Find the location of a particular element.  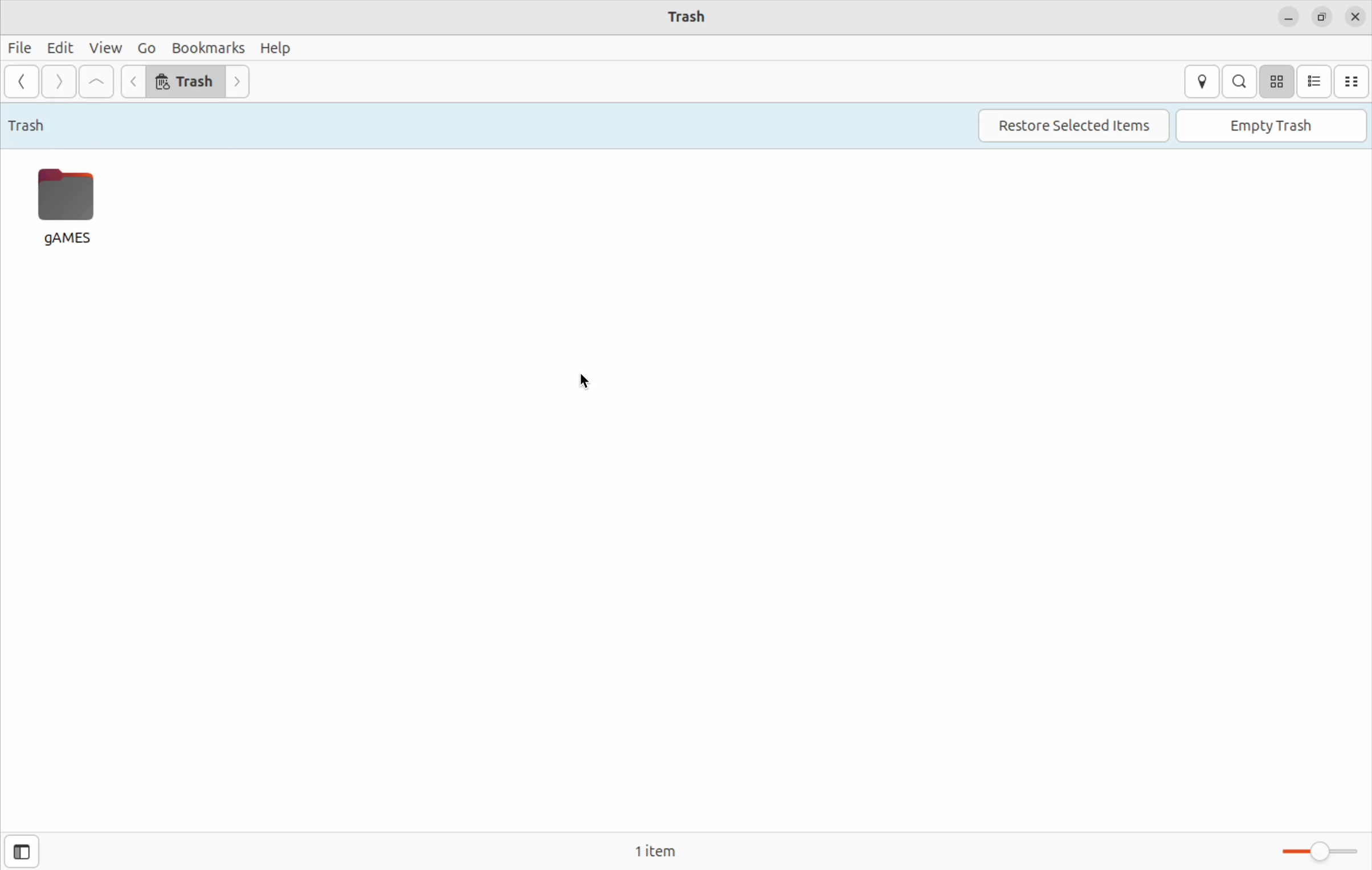

Go forward is located at coordinates (59, 83).